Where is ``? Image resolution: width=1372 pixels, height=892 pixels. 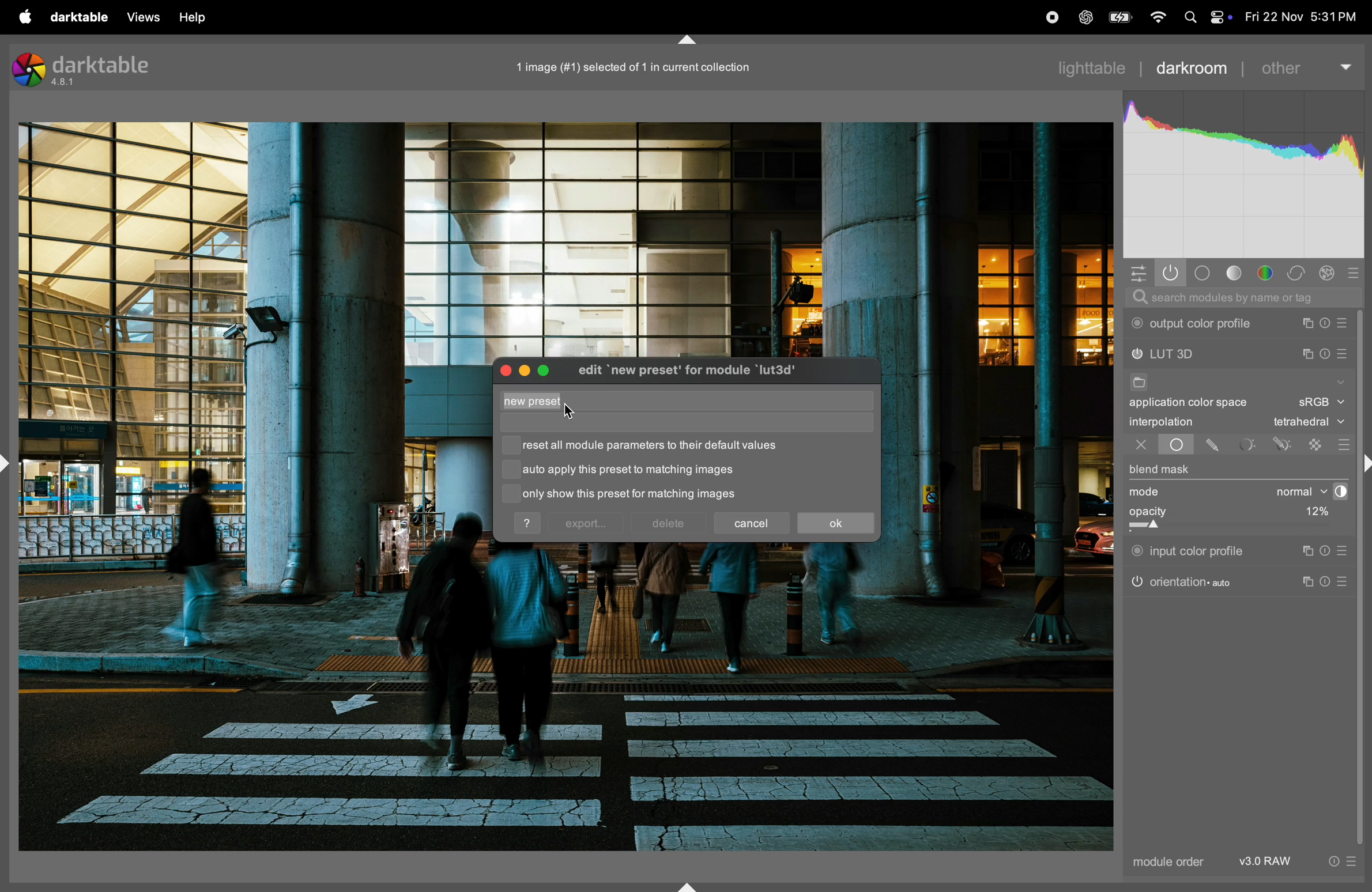  is located at coordinates (1363, 465).